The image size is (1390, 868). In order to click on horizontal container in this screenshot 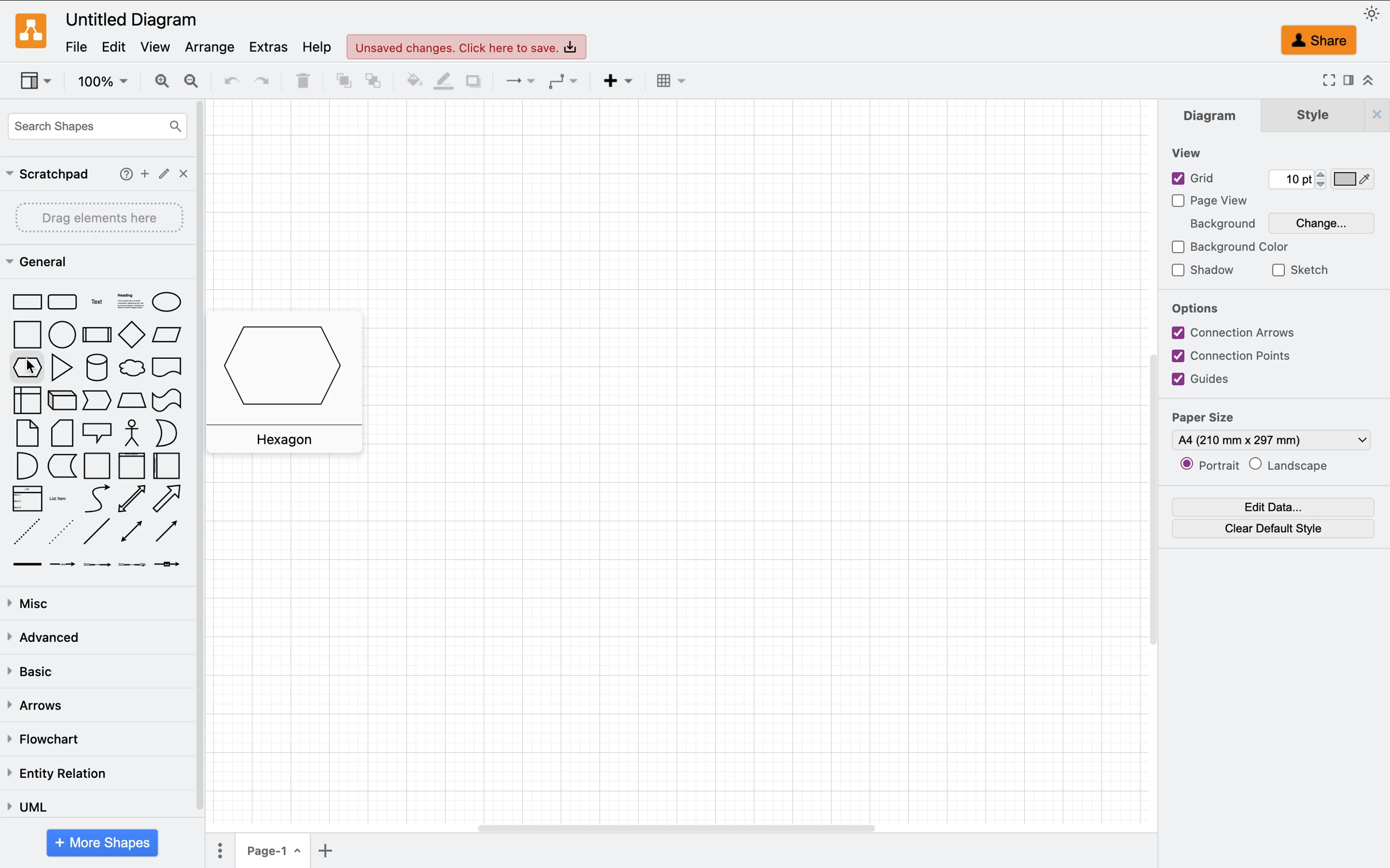, I will do `click(169, 466)`.